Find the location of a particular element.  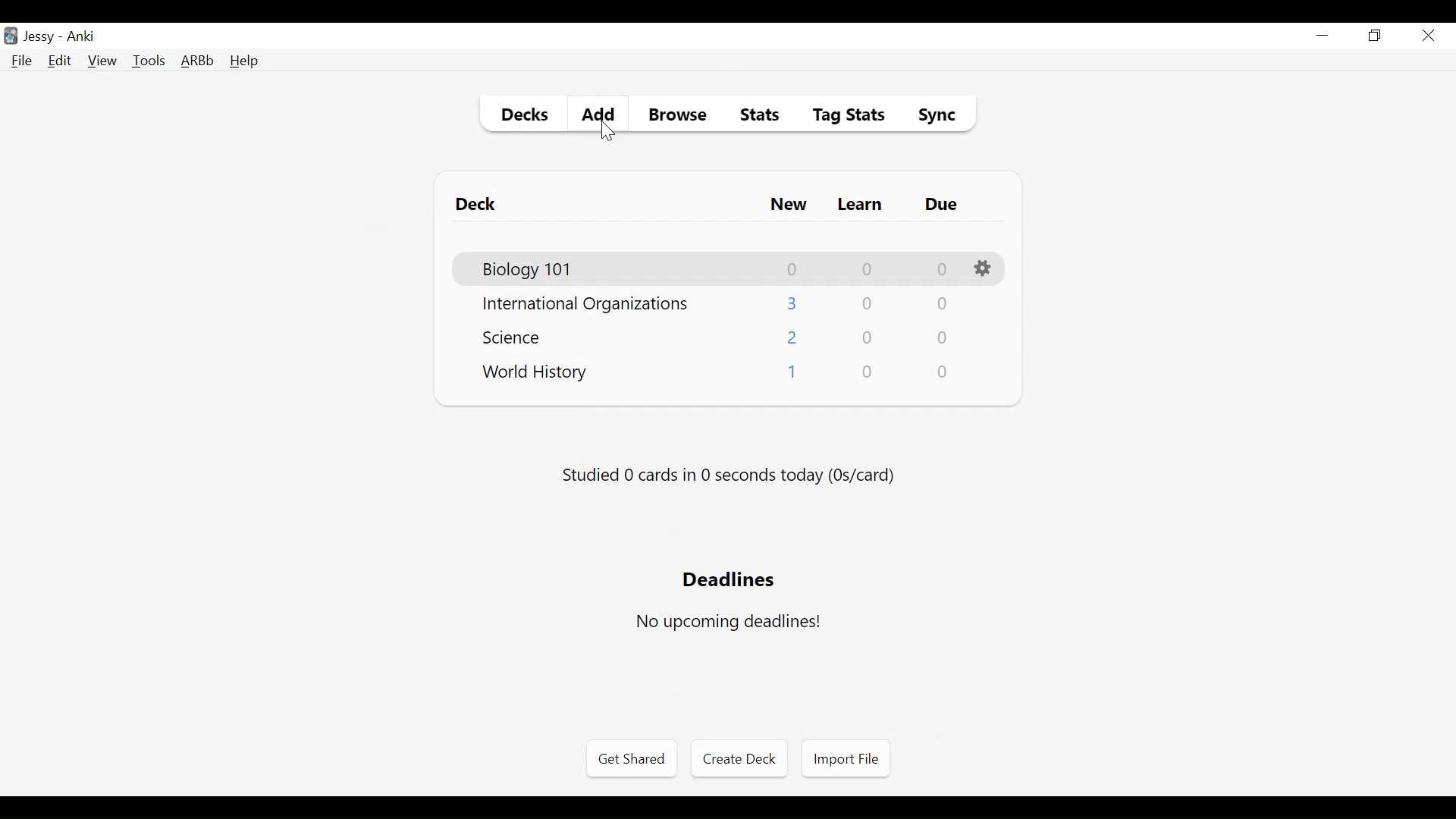

Advanced Review Button bar is located at coordinates (198, 61).